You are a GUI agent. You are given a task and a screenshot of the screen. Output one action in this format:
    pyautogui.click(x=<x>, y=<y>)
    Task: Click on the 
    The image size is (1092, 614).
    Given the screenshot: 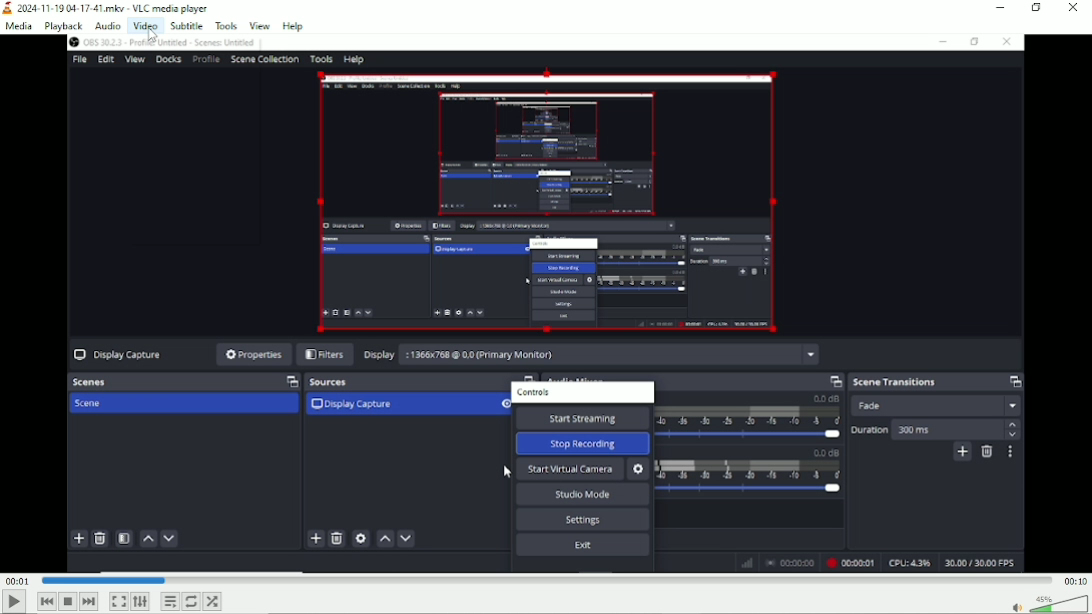 What is the action you would take?
    pyautogui.click(x=118, y=601)
    